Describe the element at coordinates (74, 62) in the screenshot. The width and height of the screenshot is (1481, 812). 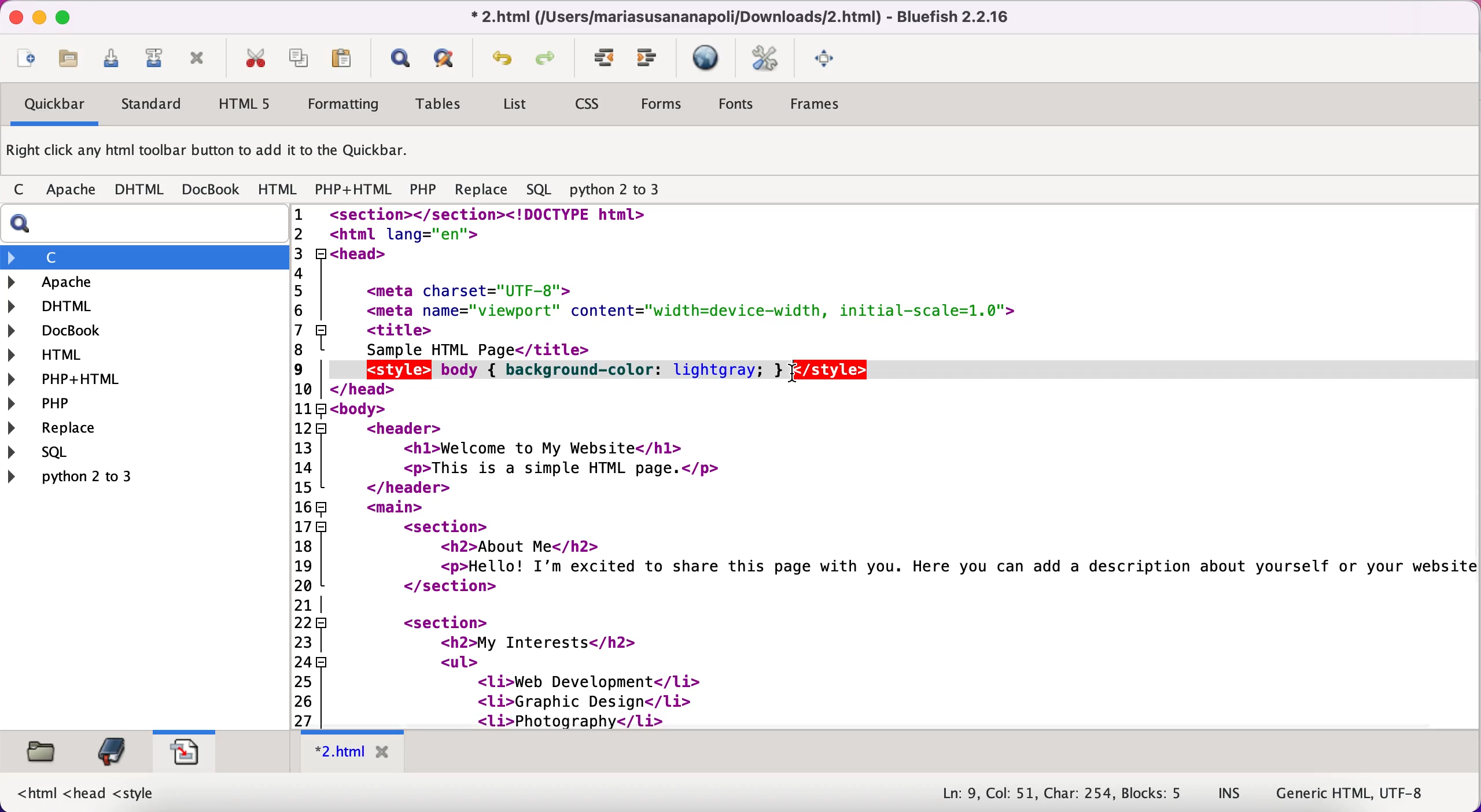
I see `open file ` at that location.